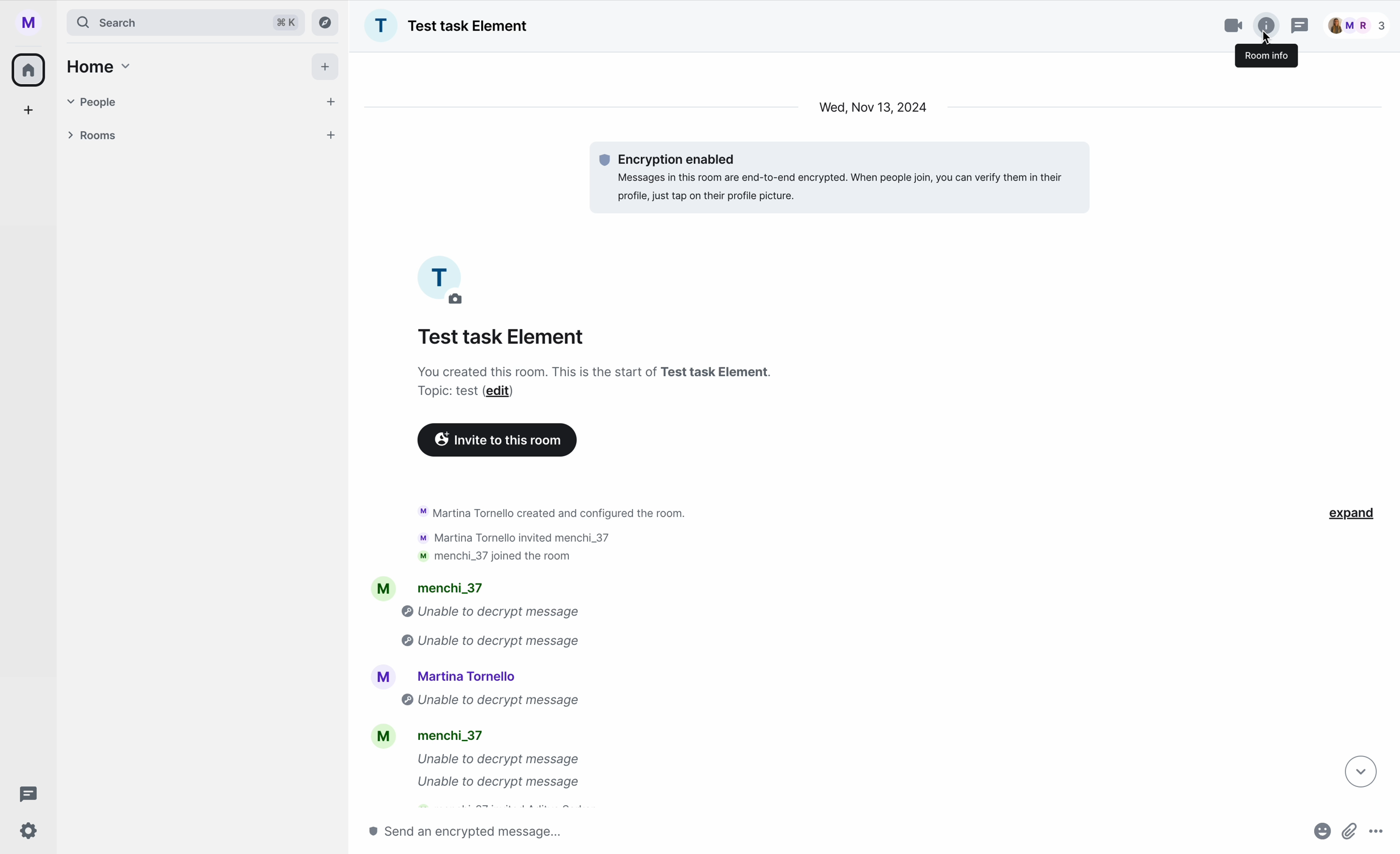  I want to click on more options, so click(1376, 832).